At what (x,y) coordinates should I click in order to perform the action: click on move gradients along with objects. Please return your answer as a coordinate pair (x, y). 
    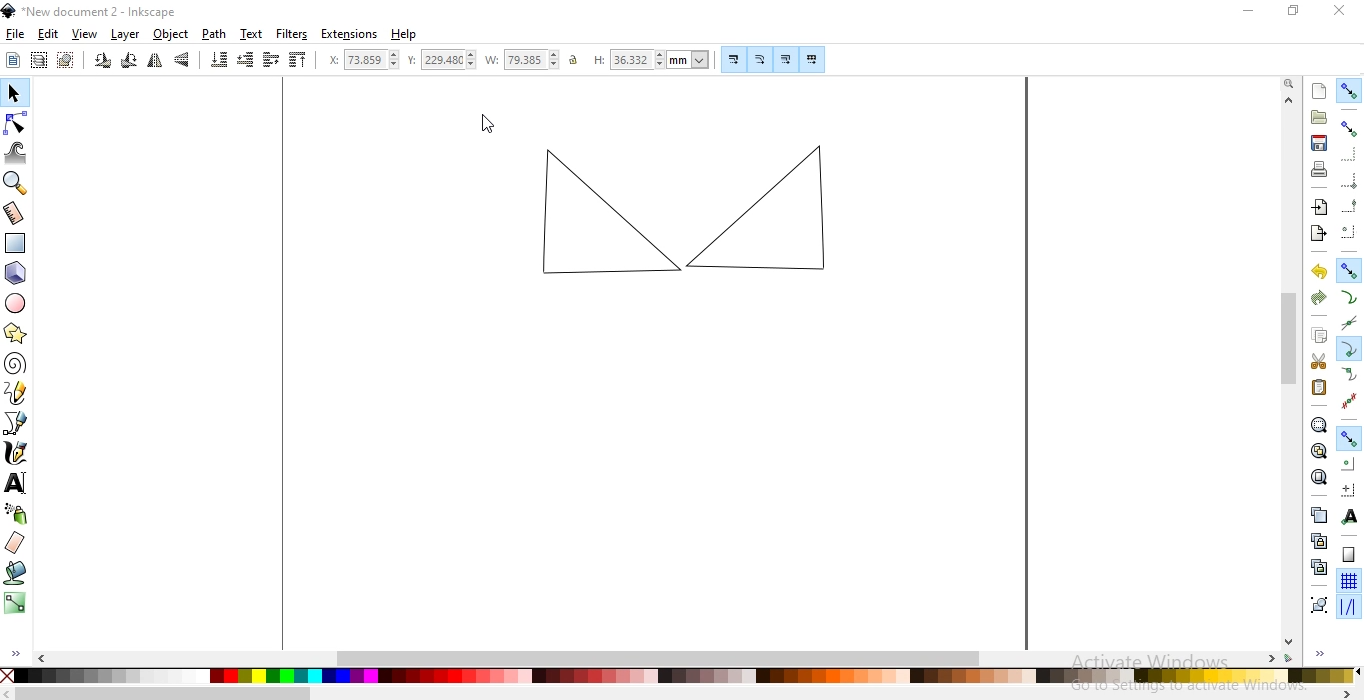
    Looking at the image, I should click on (786, 60).